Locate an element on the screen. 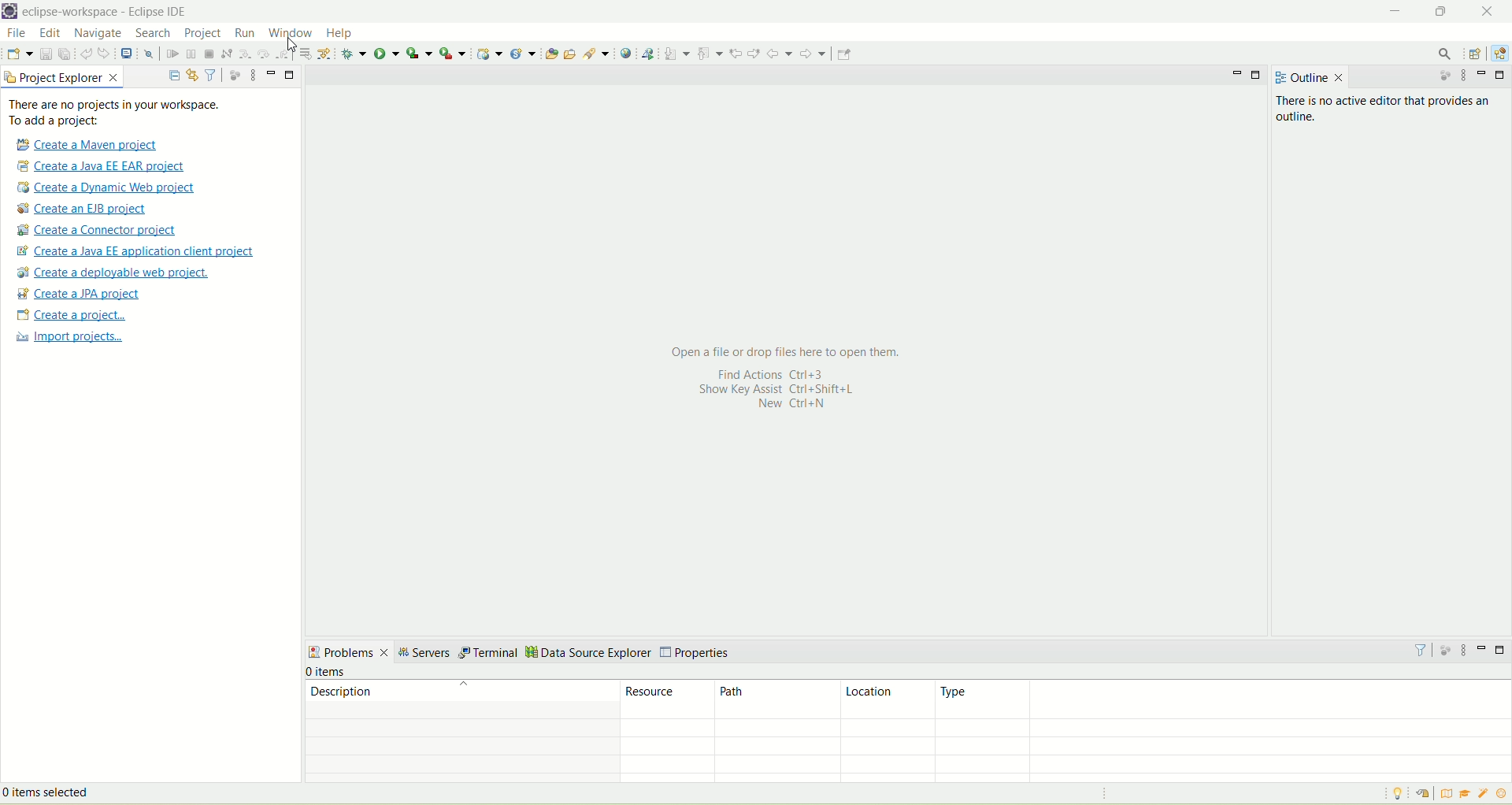 This screenshot has width=1512, height=805. path is located at coordinates (778, 700).